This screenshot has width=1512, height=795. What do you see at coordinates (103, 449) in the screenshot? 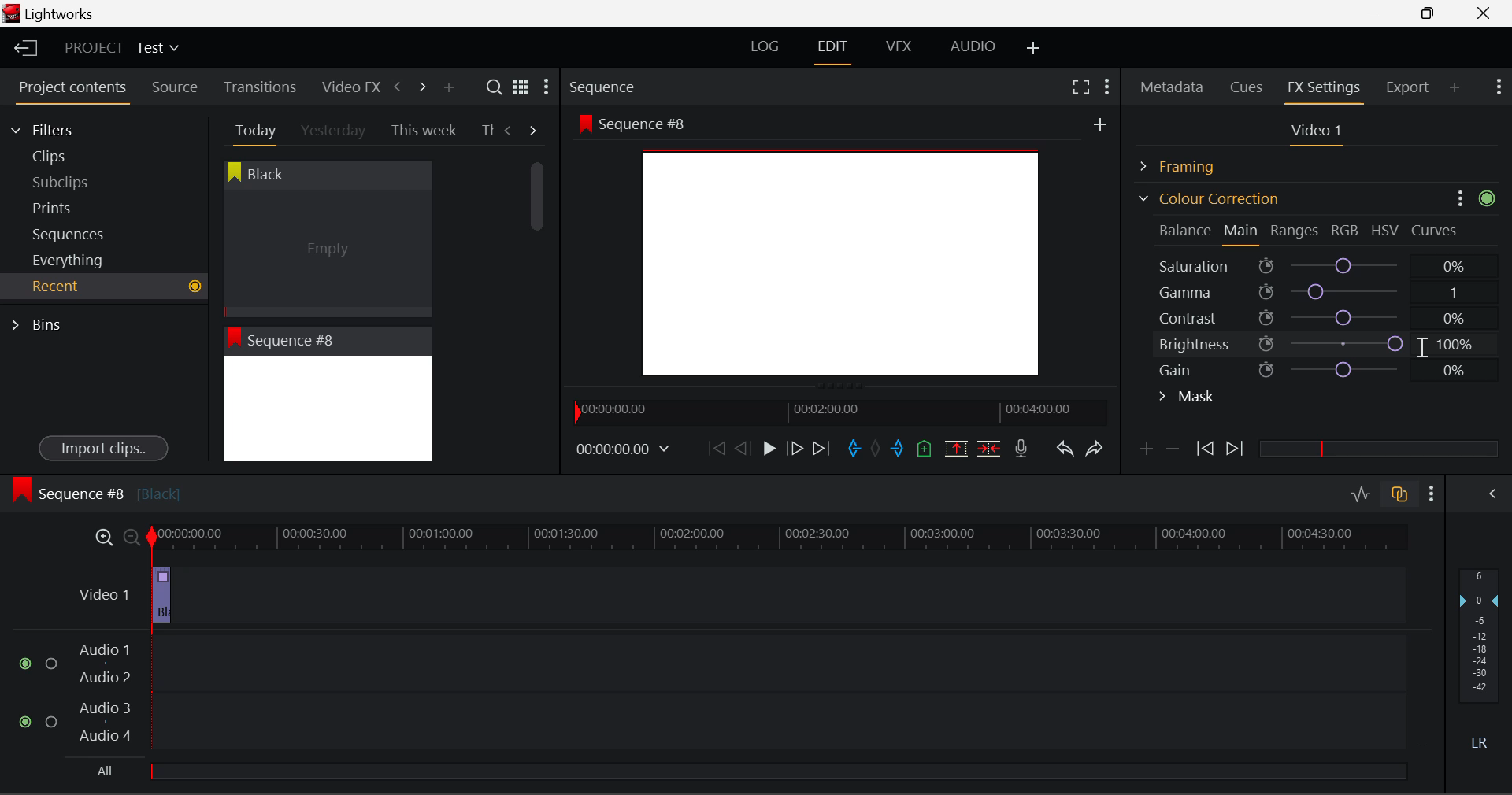
I see `Import clips` at bounding box center [103, 449].